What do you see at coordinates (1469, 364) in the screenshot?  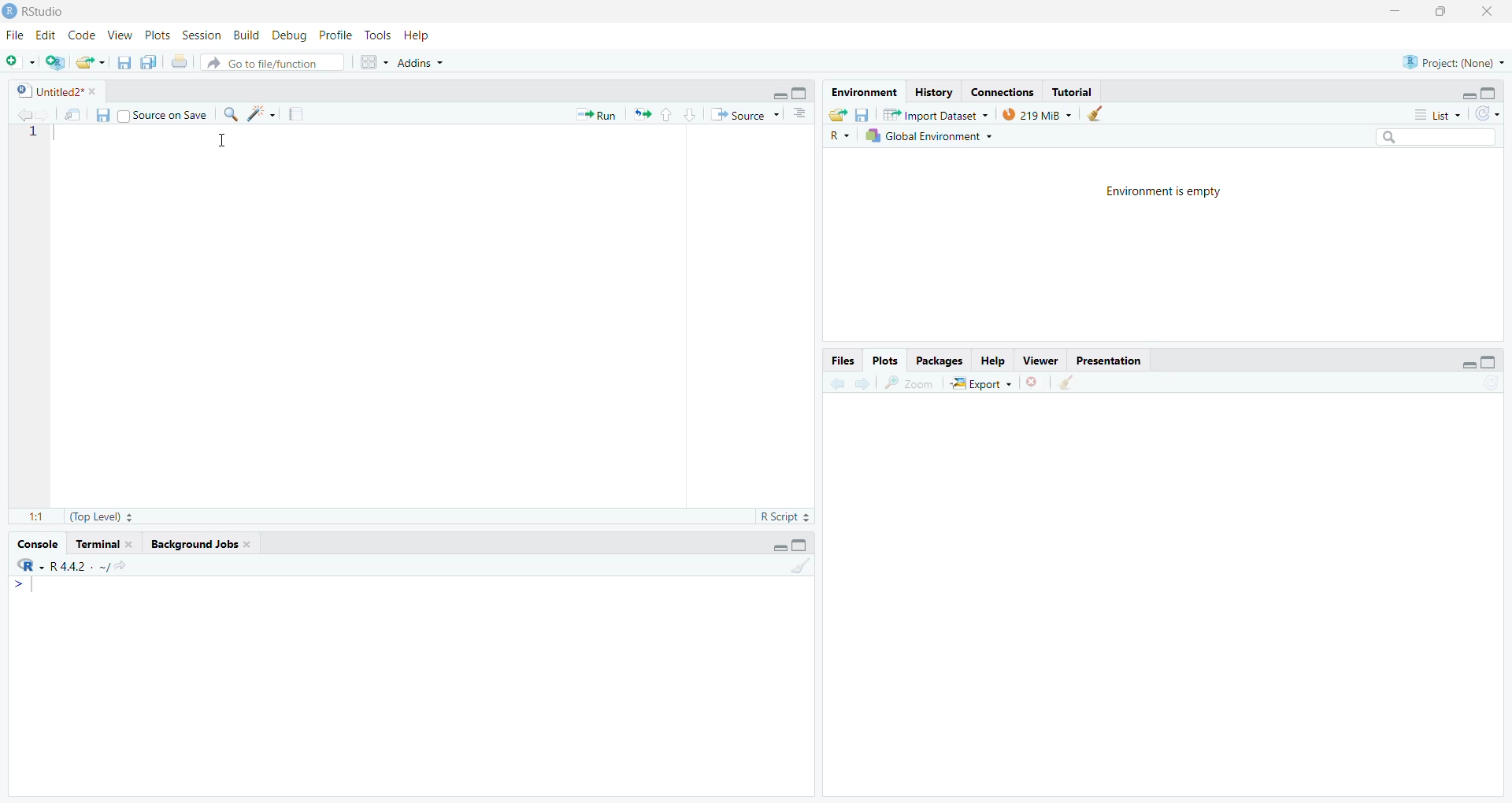 I see `Hide` at bounding box center [1469, 364].